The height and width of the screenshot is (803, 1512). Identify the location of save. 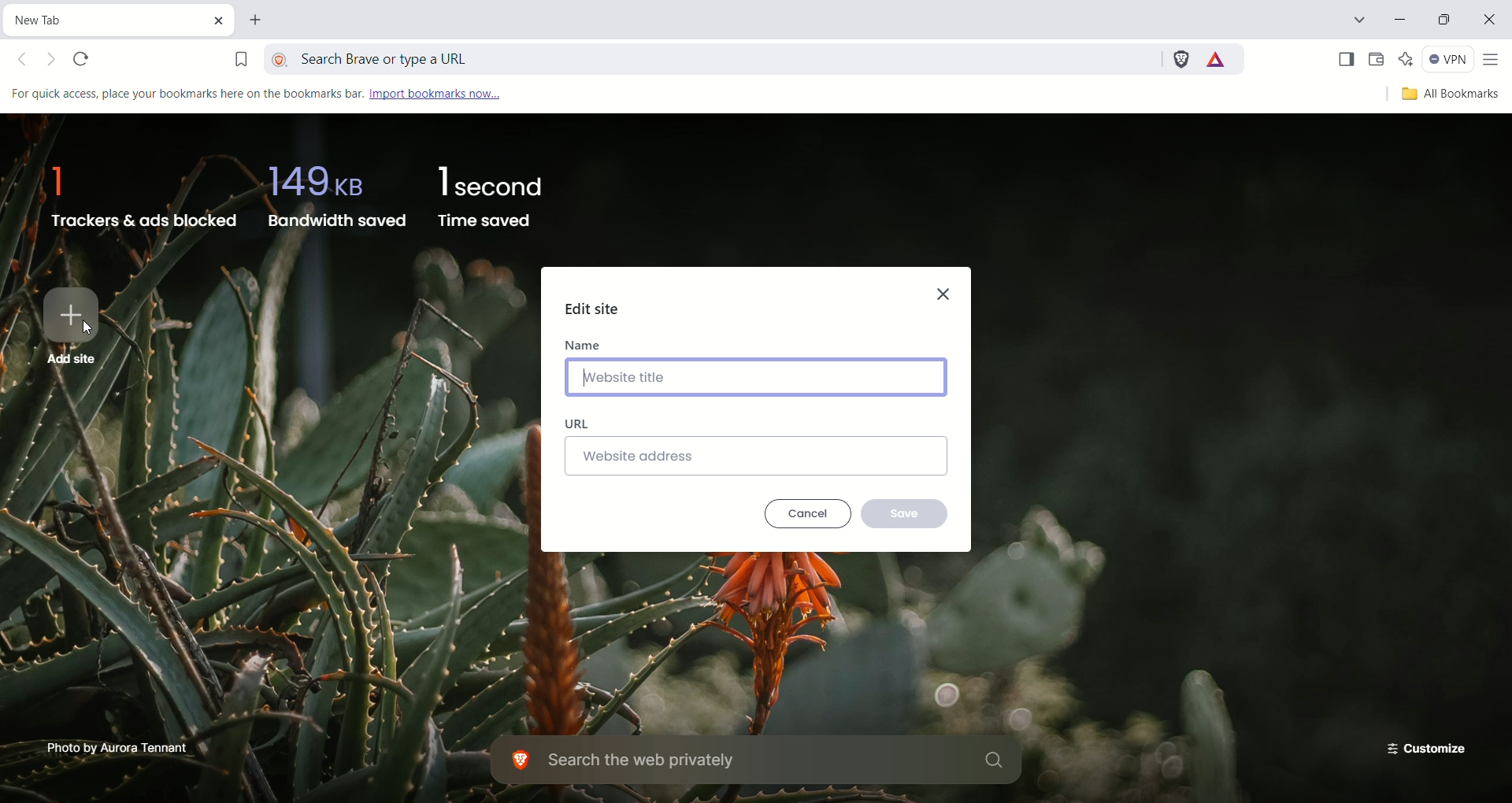
(908, 512).